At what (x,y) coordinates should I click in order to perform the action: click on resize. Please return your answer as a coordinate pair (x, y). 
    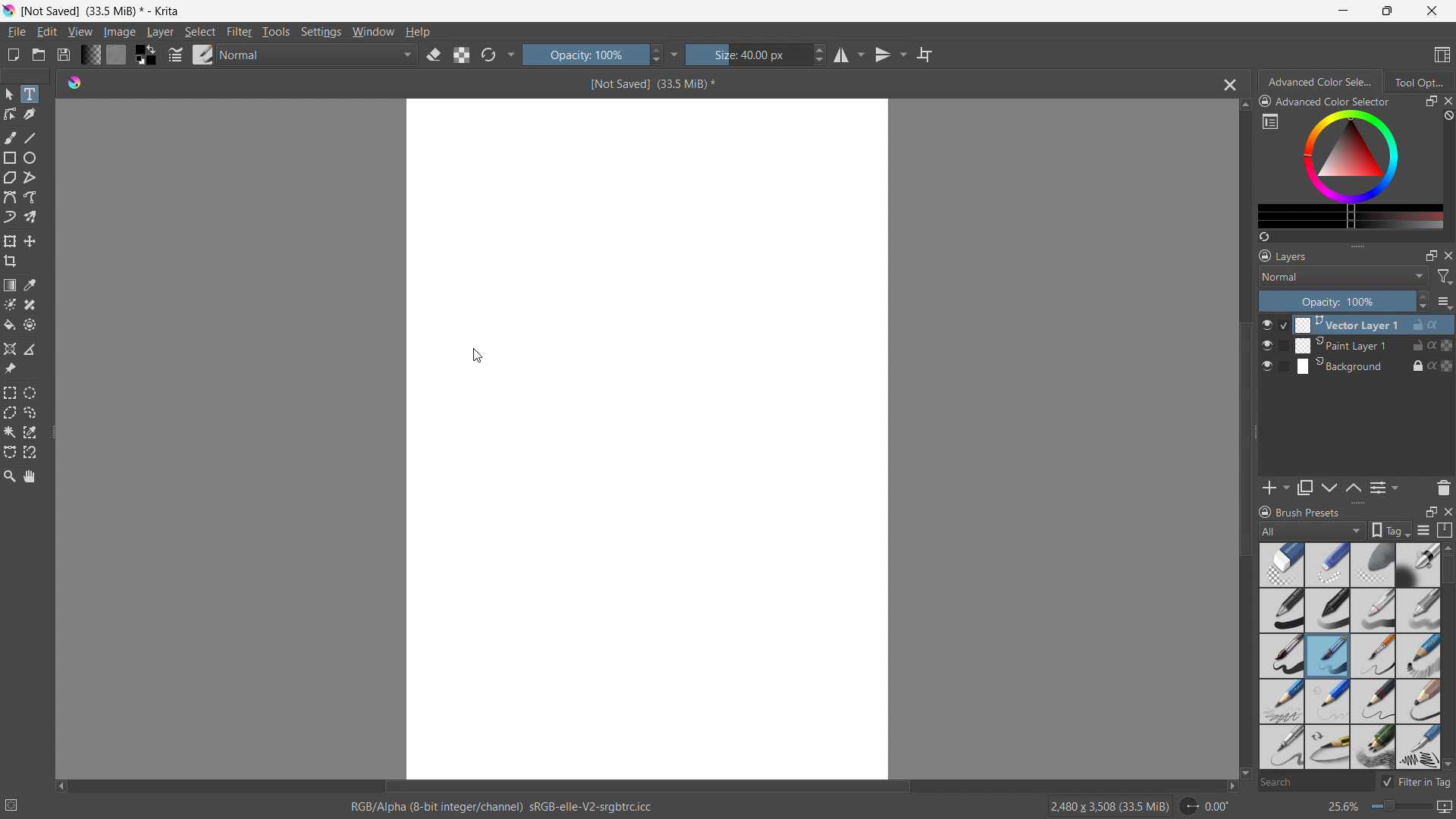
    Looking at the image, I should click on (1256, 433).